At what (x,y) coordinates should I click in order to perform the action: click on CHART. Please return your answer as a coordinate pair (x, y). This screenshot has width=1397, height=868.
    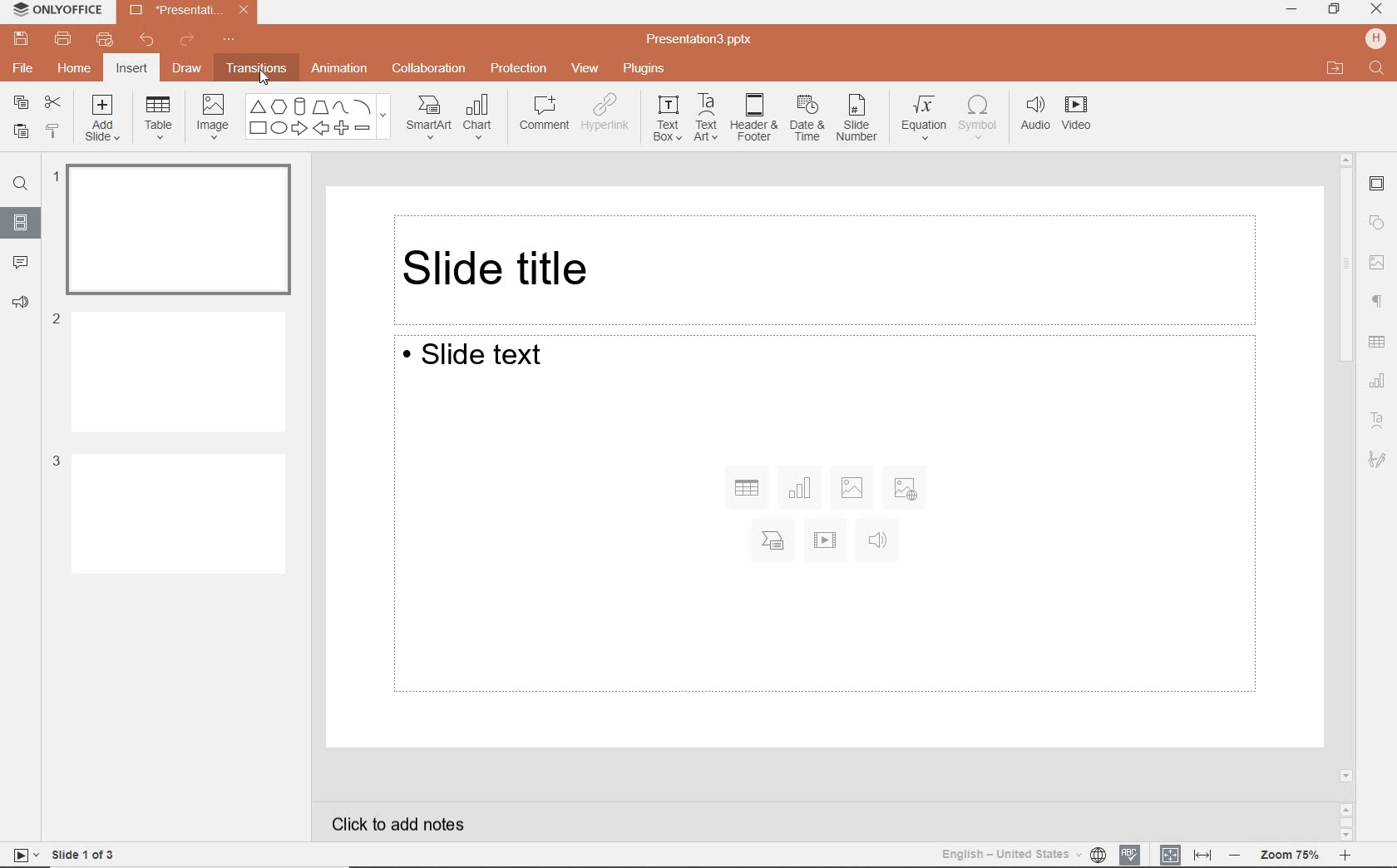
    Looking at the image, I should click on (478, 118).